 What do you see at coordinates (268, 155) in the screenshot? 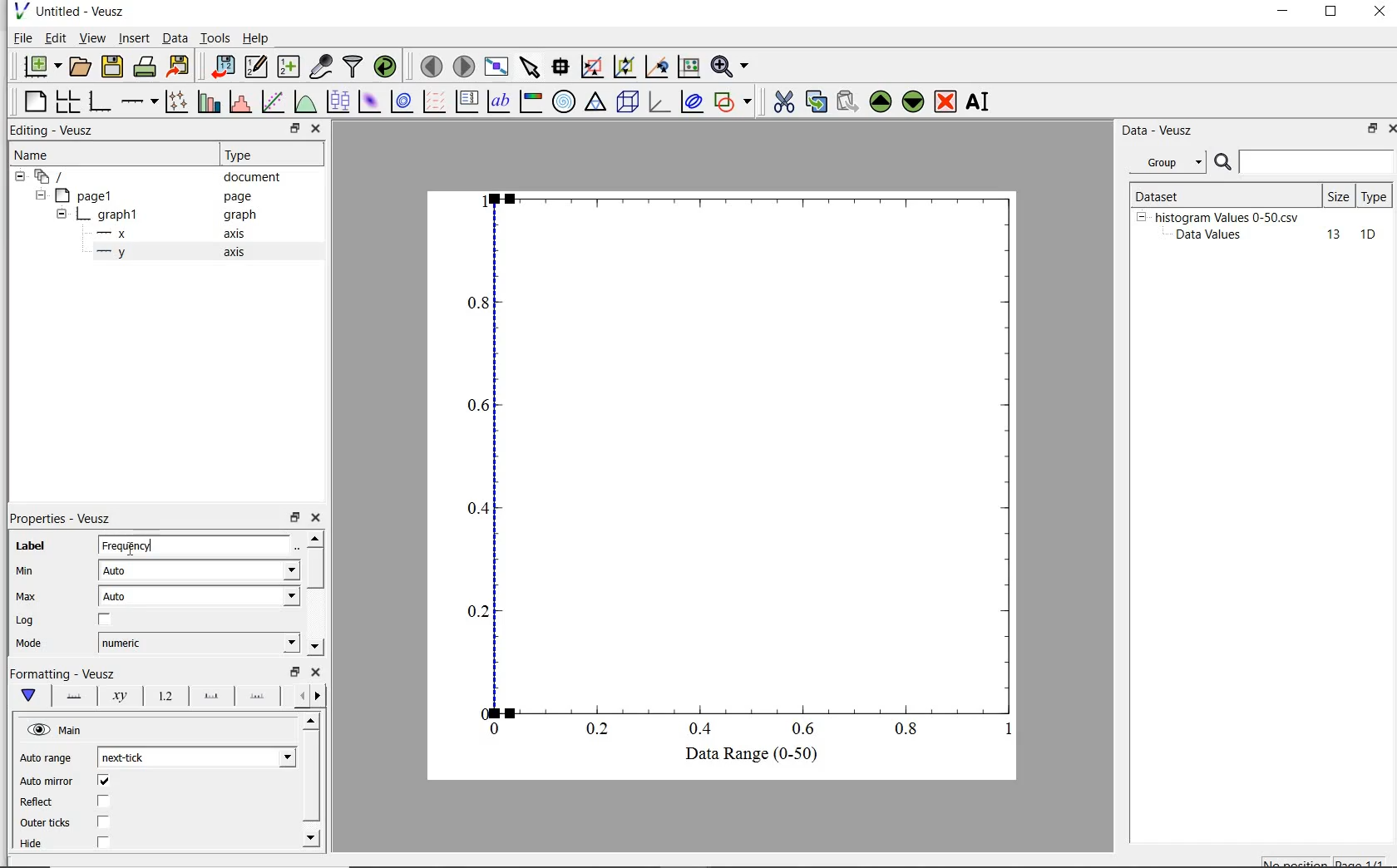
I see `Type` at bounding box center [268, 155].